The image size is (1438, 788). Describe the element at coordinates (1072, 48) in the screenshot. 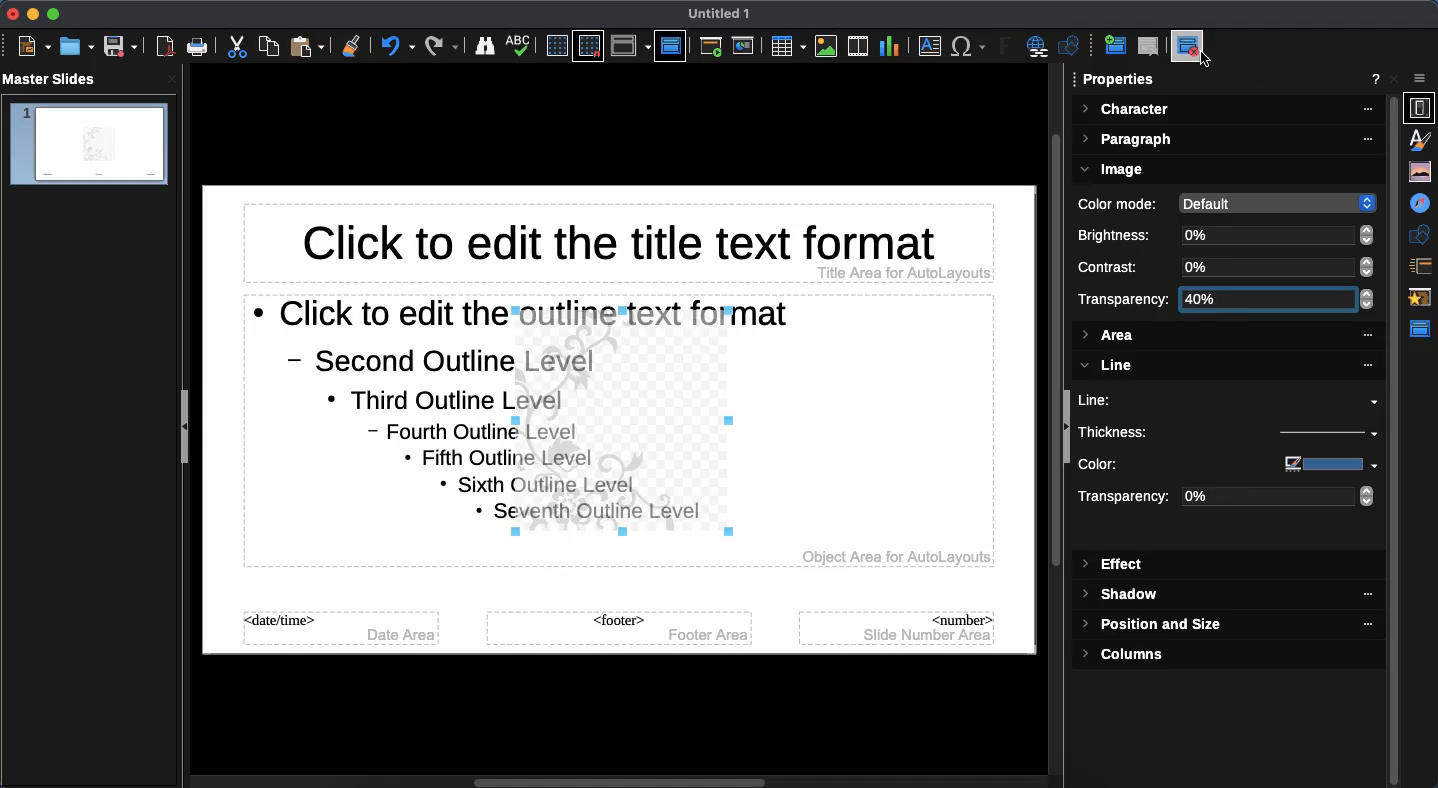

I see `Shapes` at that location.